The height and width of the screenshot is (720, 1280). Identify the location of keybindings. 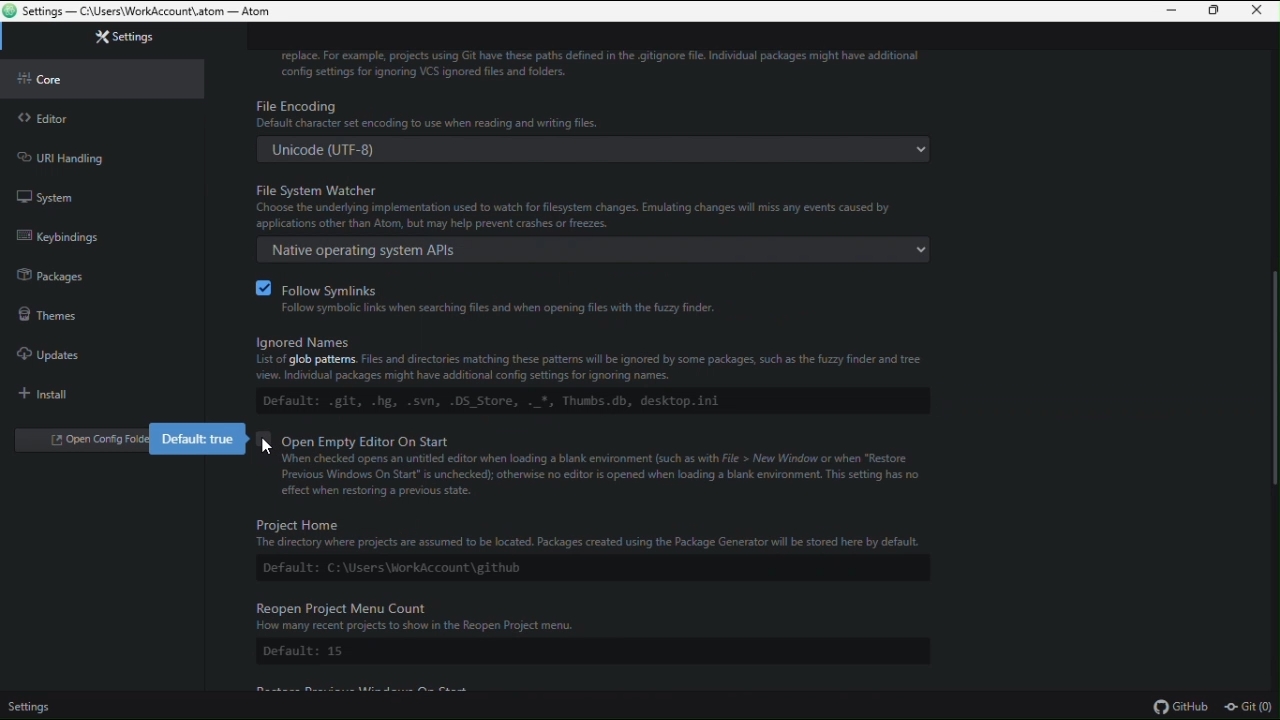
(72, 238).